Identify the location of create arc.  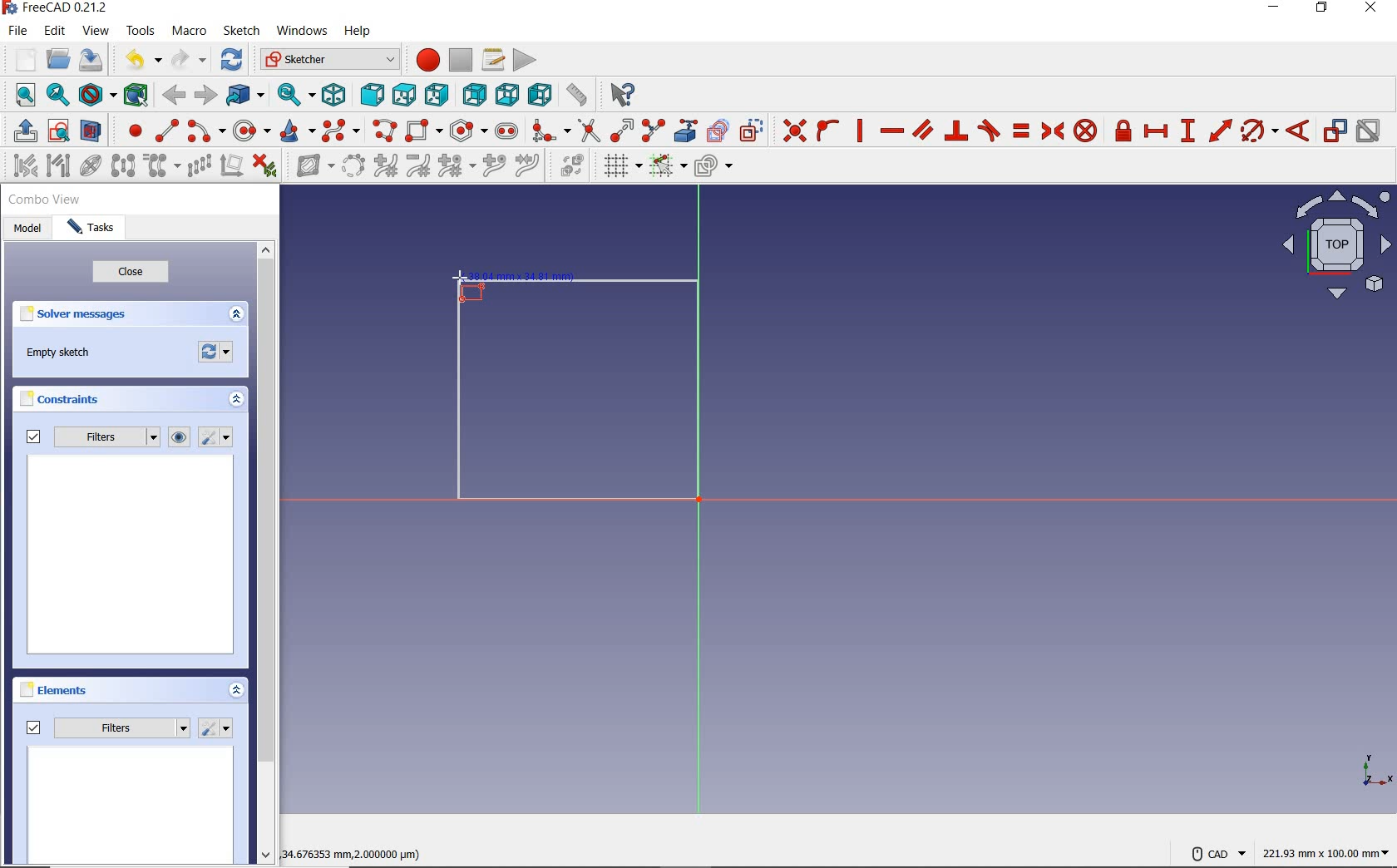
(205, 131).